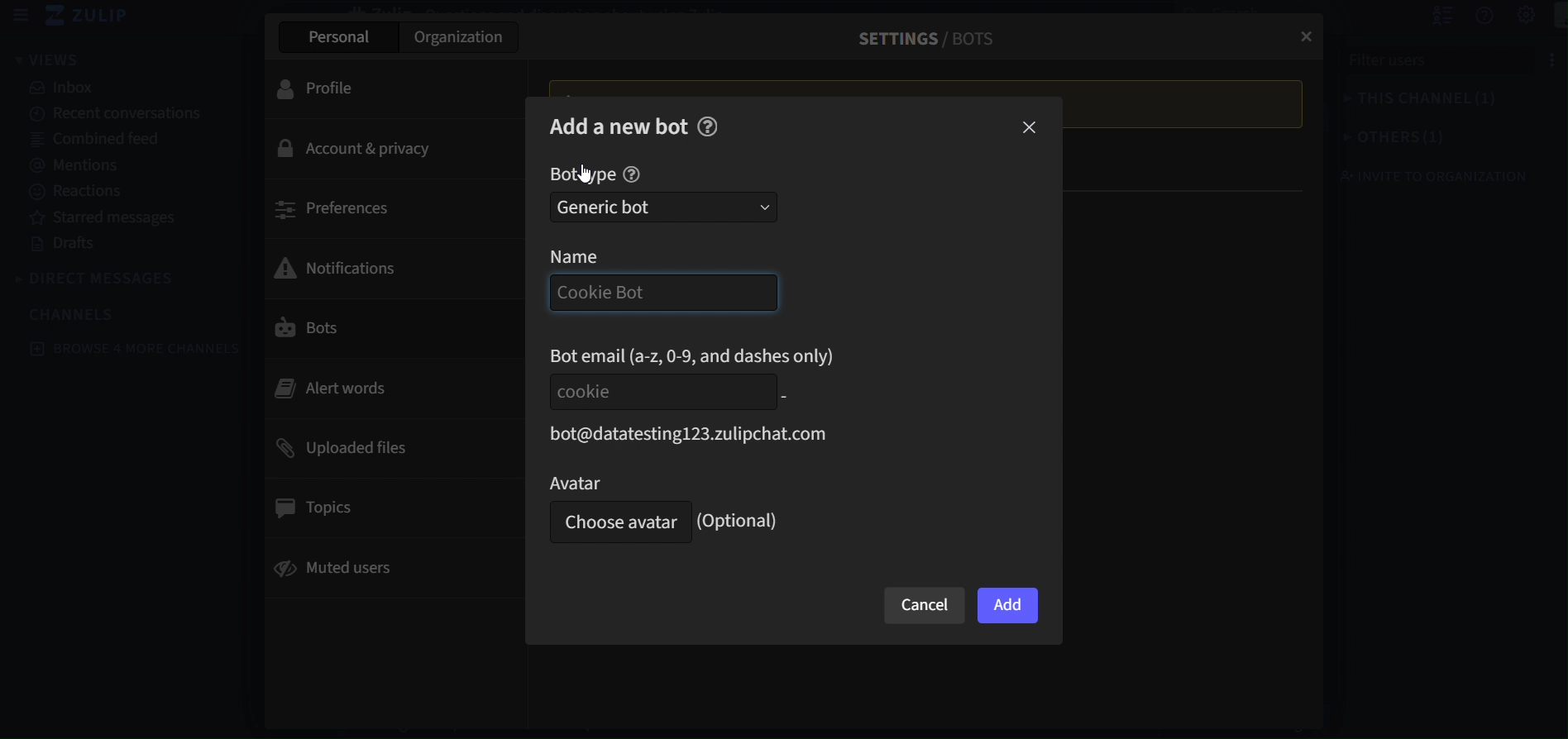  Describe the element at coordinates (1549, 17) in the screenshot. I see `main menu` at that location.